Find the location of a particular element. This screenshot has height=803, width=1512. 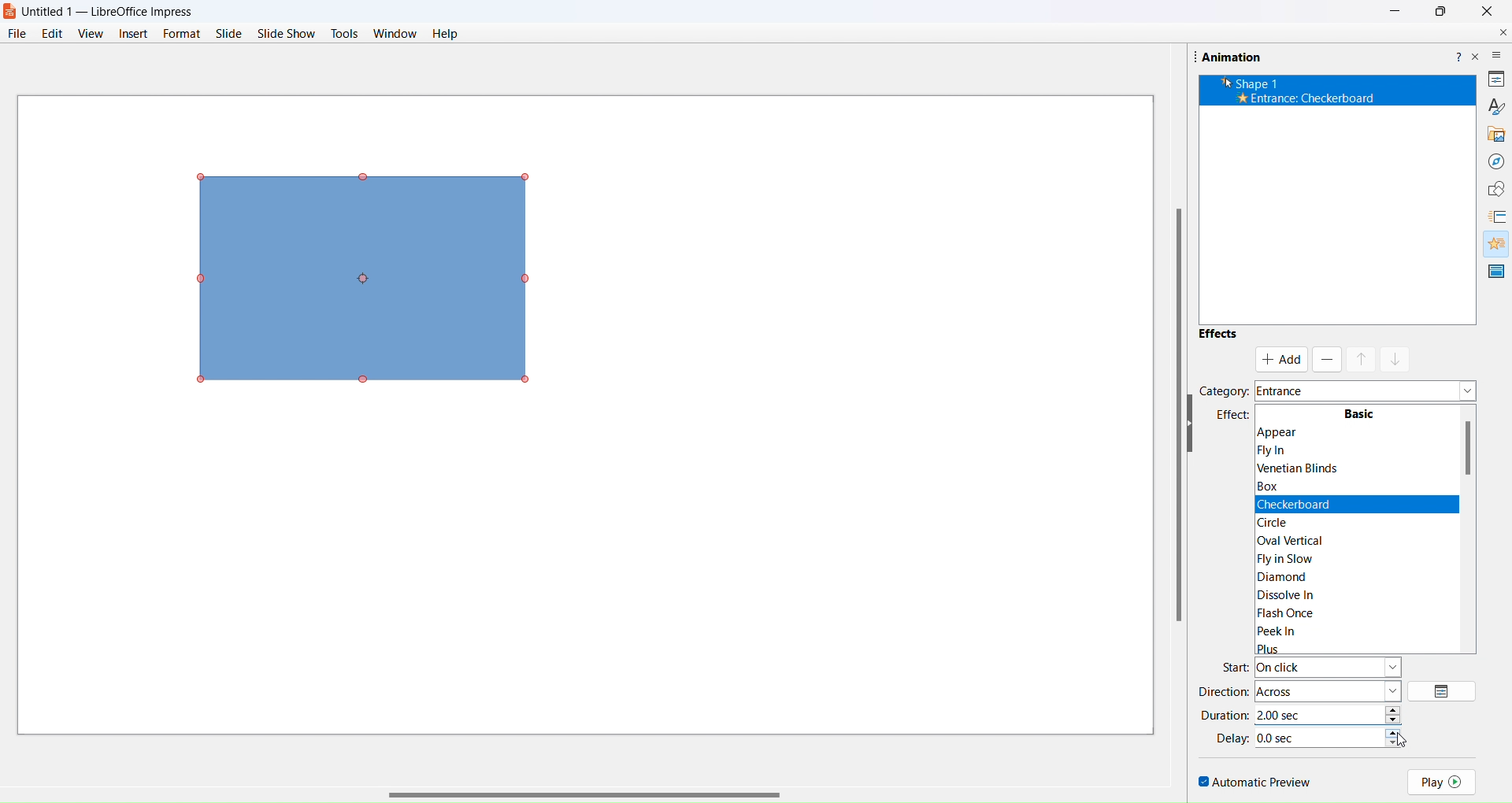

brush is located at coordinates (1494, 105).